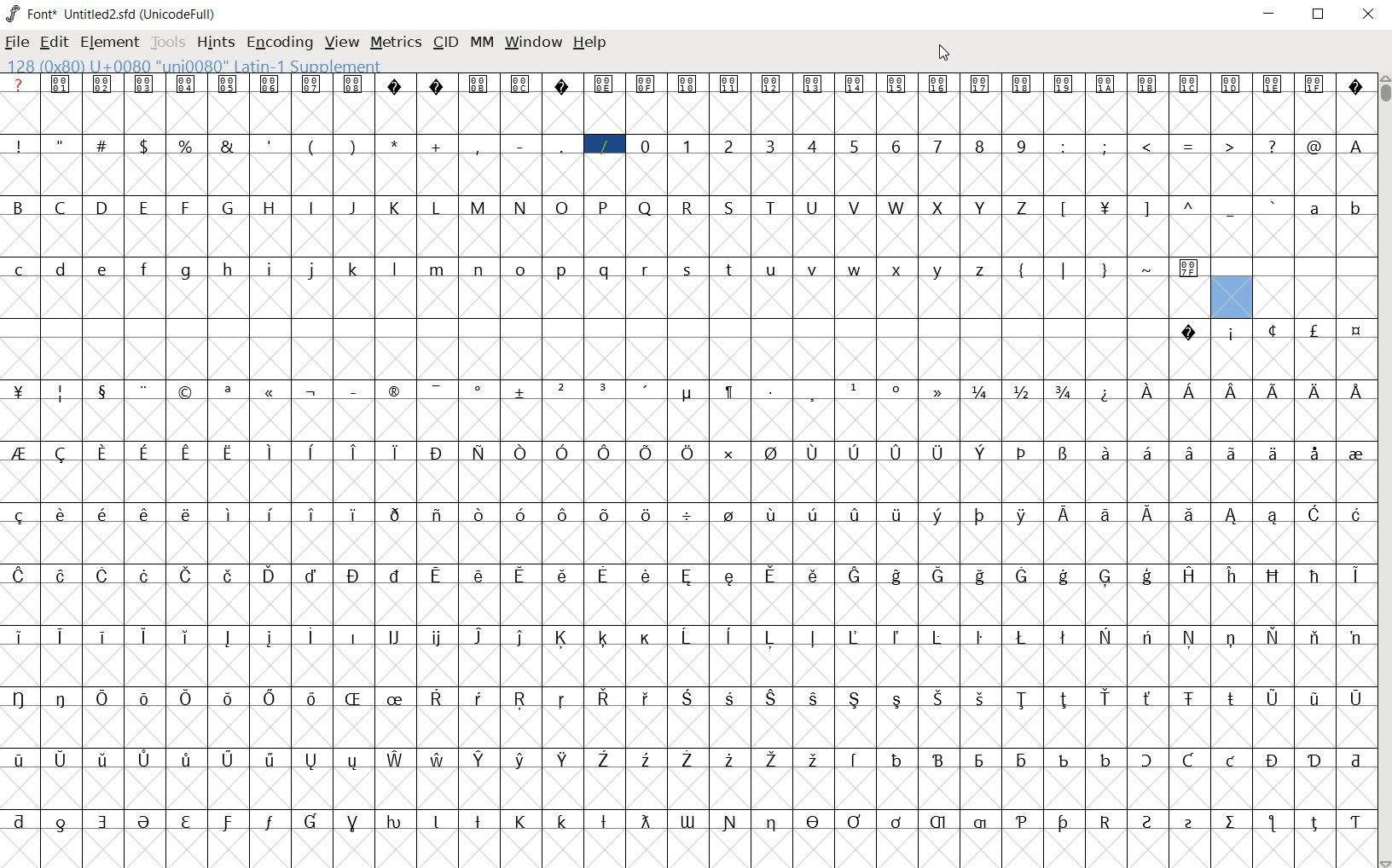 This screenshot has width=1392, height=868. Describe the element at coordinates (688, 270) in the screenshot. I see `glyph` at that location.